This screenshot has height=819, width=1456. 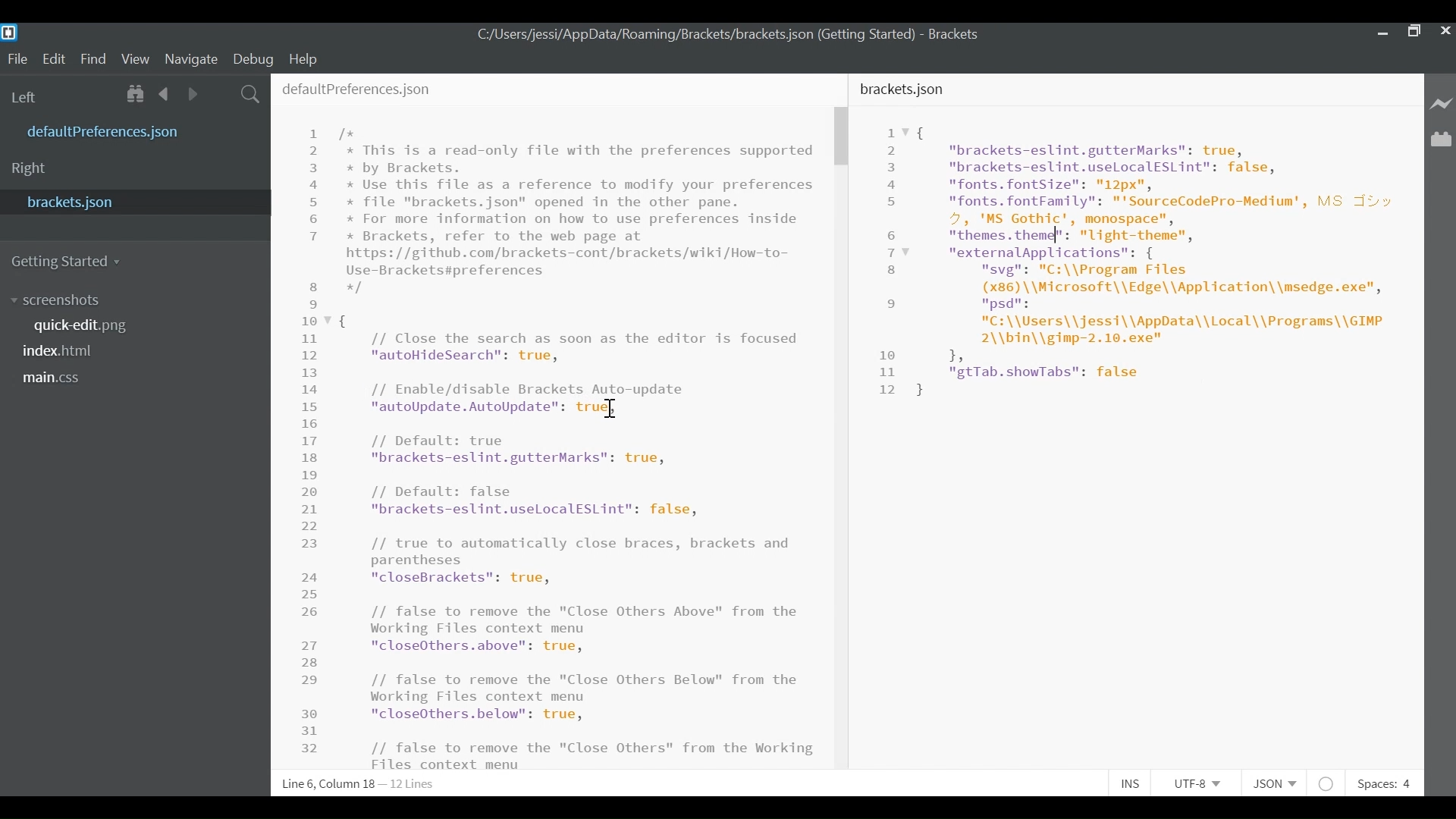 I want to click on index.html, so click(x=63, y=350).